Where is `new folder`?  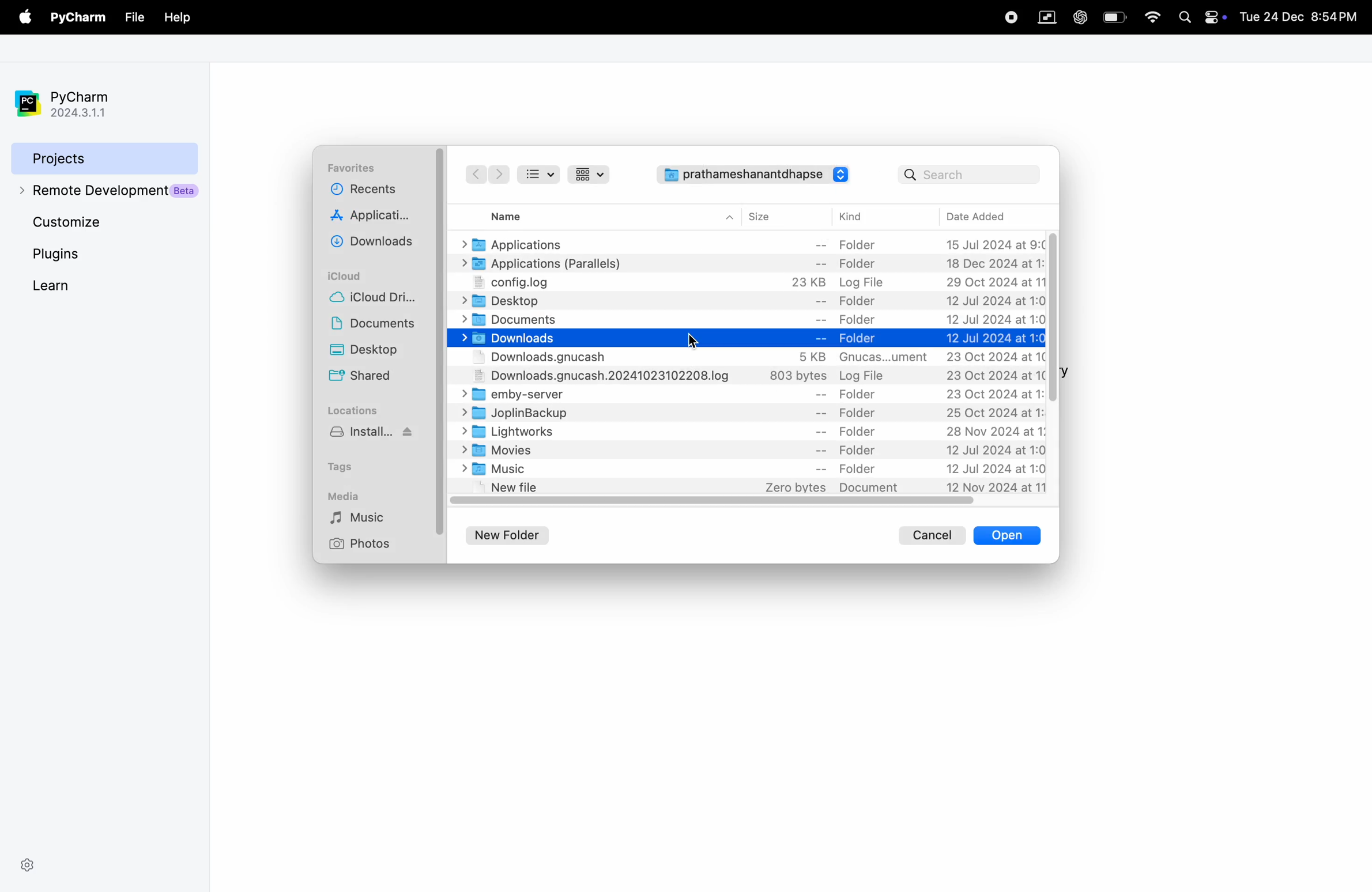
new folder is located at coordinates (513, 533).